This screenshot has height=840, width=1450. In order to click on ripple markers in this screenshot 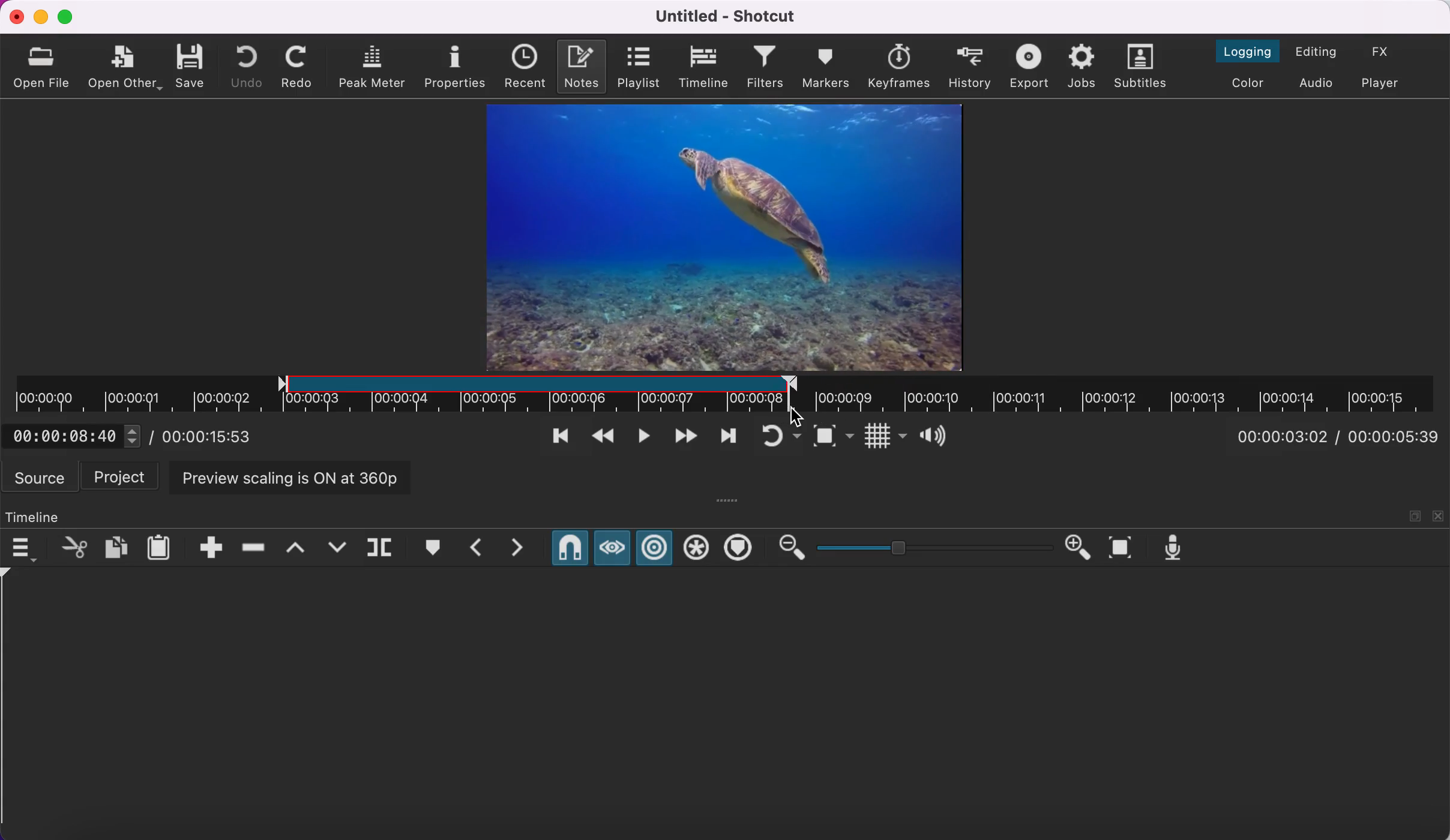, I will do `click(739, 548)`.